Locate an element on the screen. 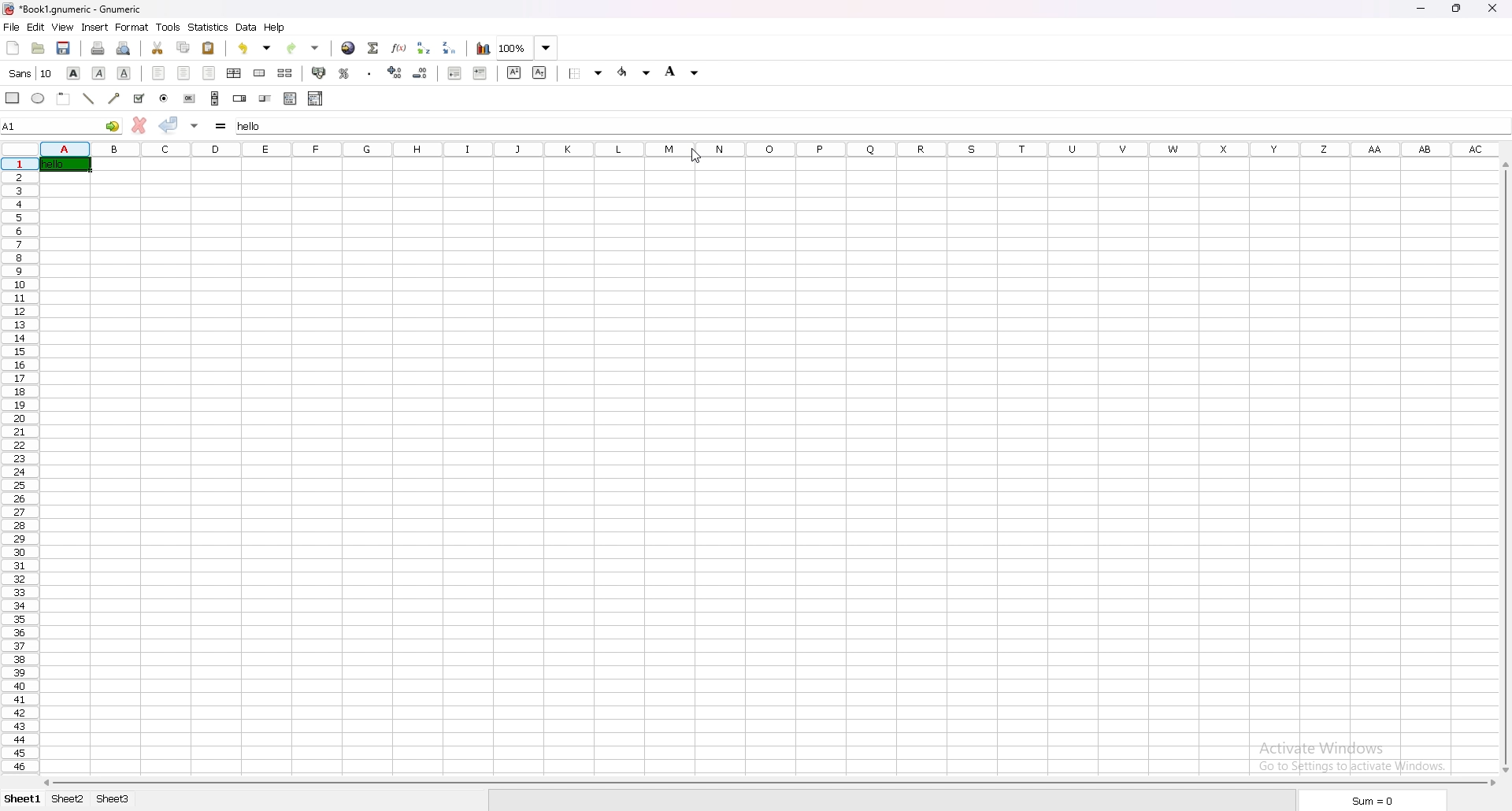 This screenshot has width=1512, height=811. scroll bar is located at coordinates (1506, 468).